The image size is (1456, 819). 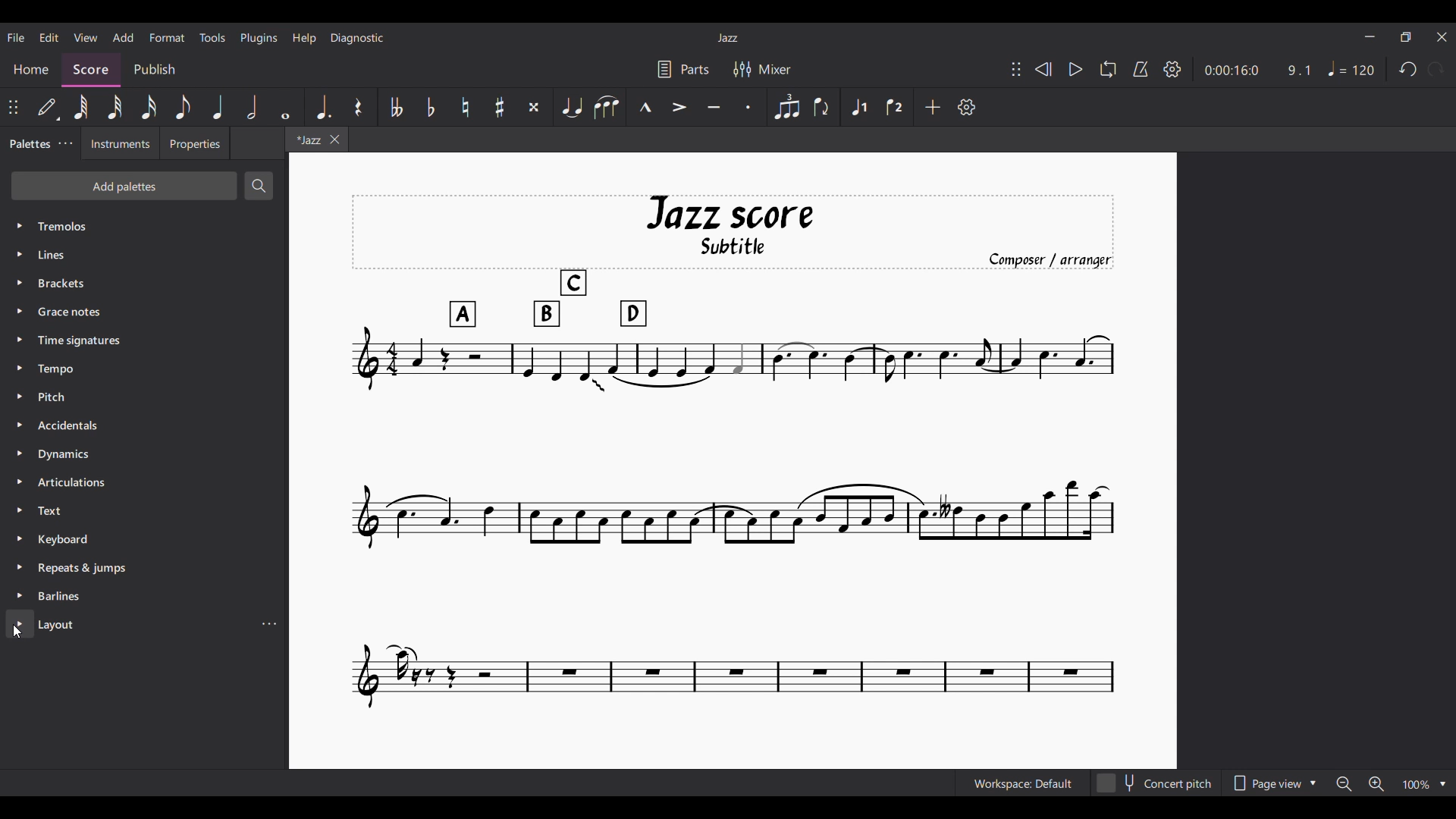 What do you see at coordinates (1436, 68) in the screenshot?
I see `Redo` at bounding box center [1436, 68].